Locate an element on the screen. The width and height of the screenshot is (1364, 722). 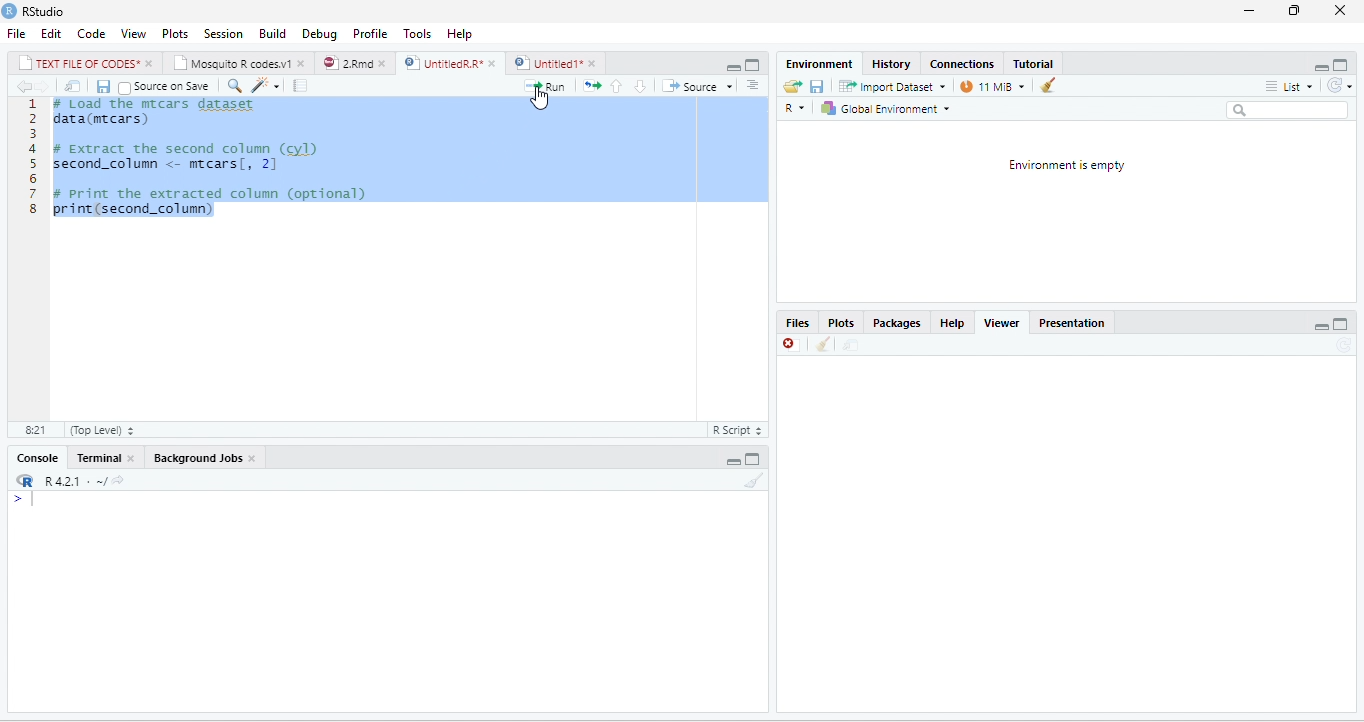
‘Background Jobs is located at coordinates (195, 457).